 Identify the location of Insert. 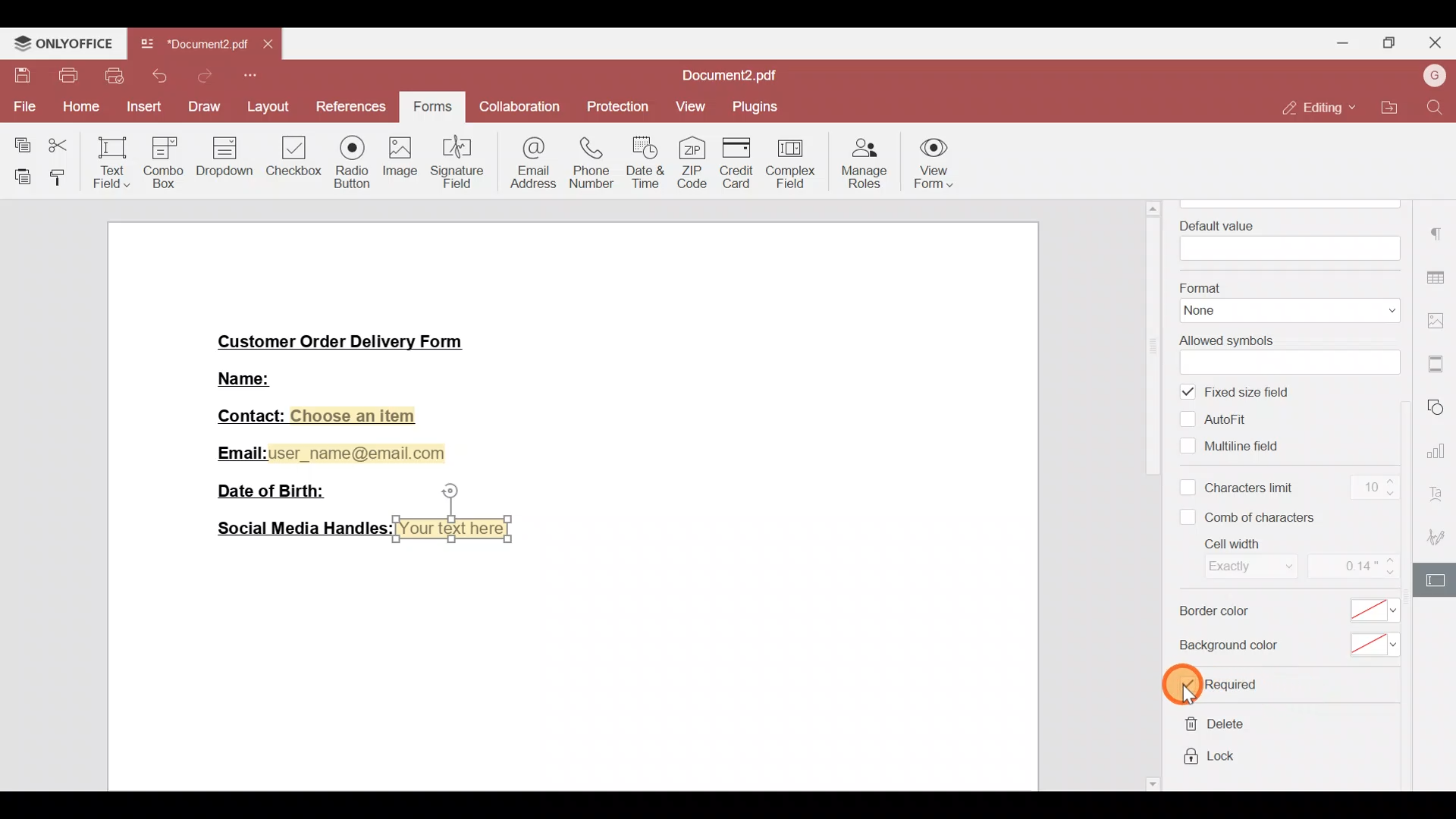
(142, 108).